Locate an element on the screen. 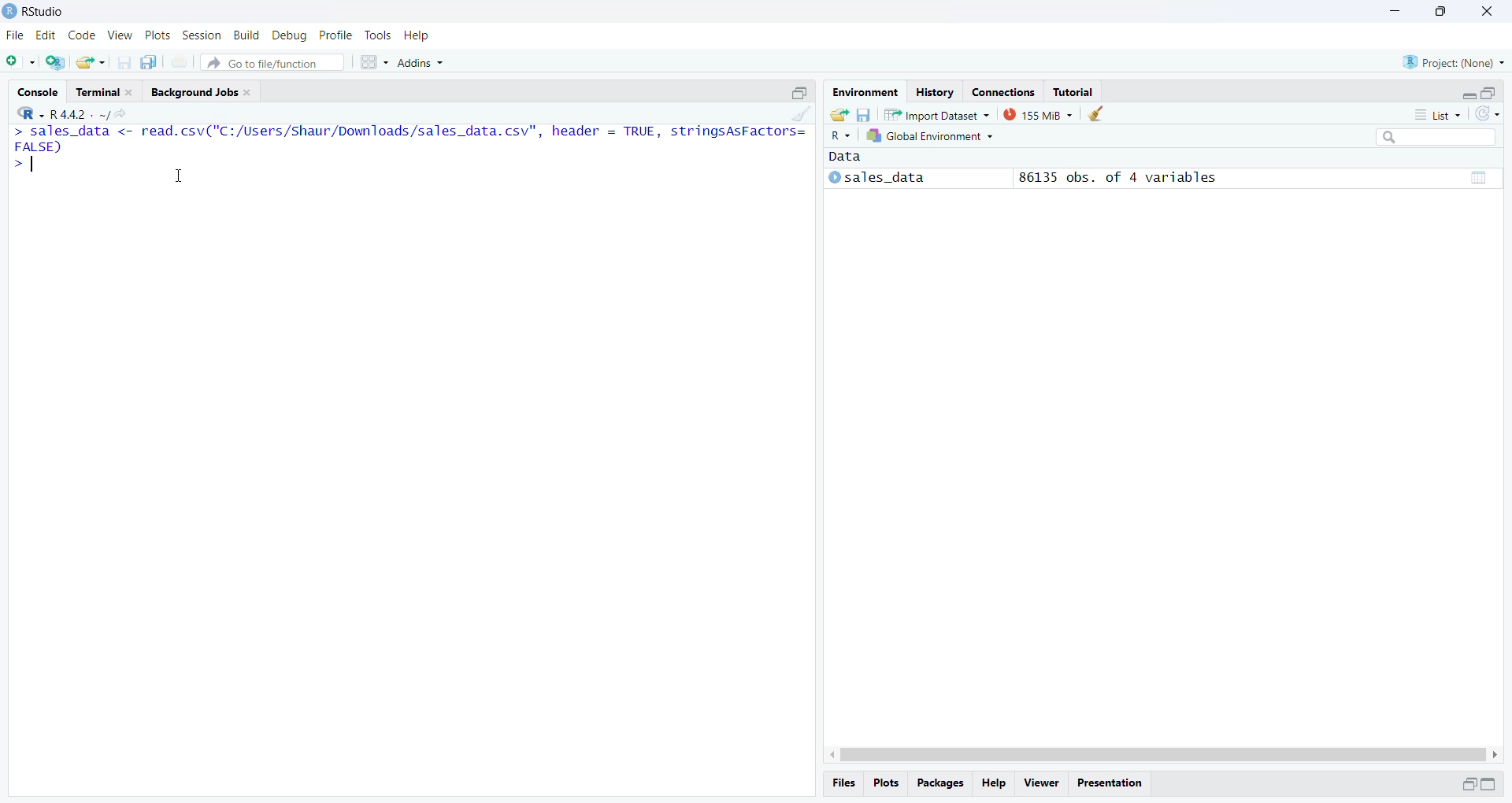 This screenshot has width=1512, height=803. Save workspace as is located at coordinates (866, 116).